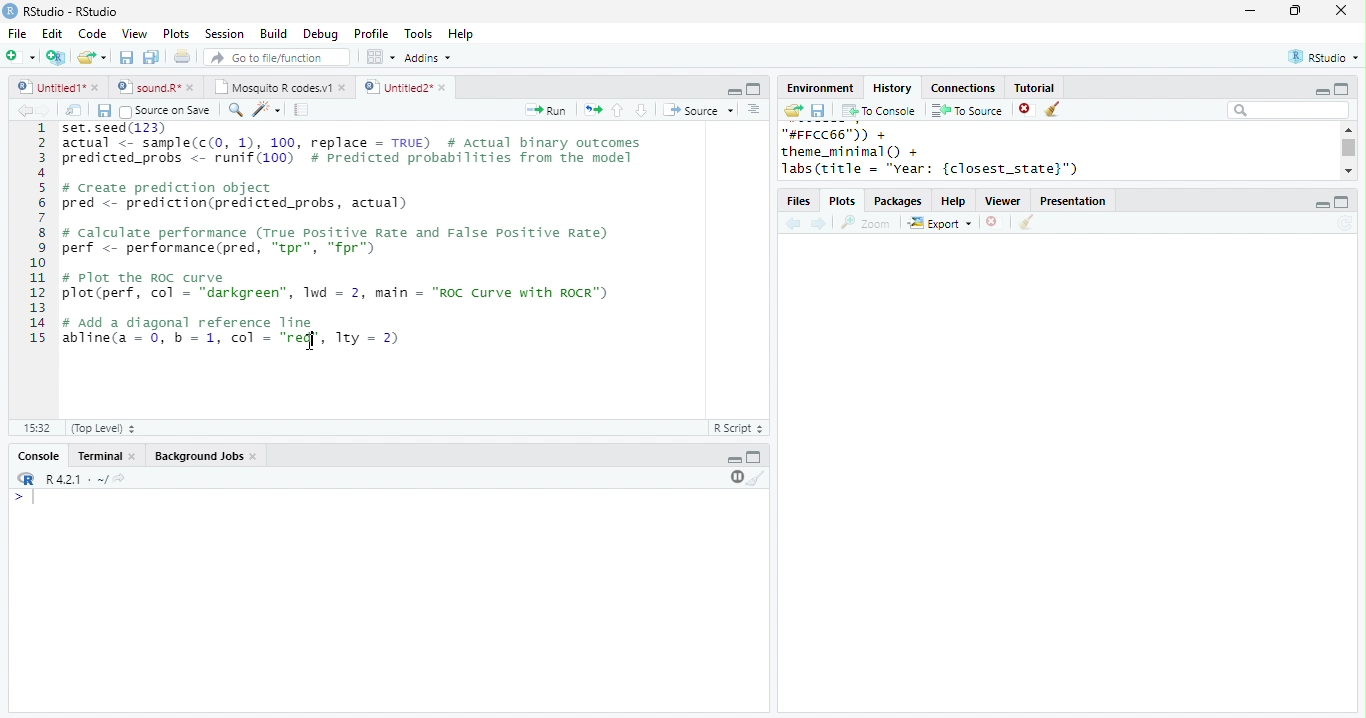 This screenshot has height=718, width=1366. What do you see at coordinates (1321, 92) in the screenshot?
I see `minimize` at bounding box center [1321, 92].